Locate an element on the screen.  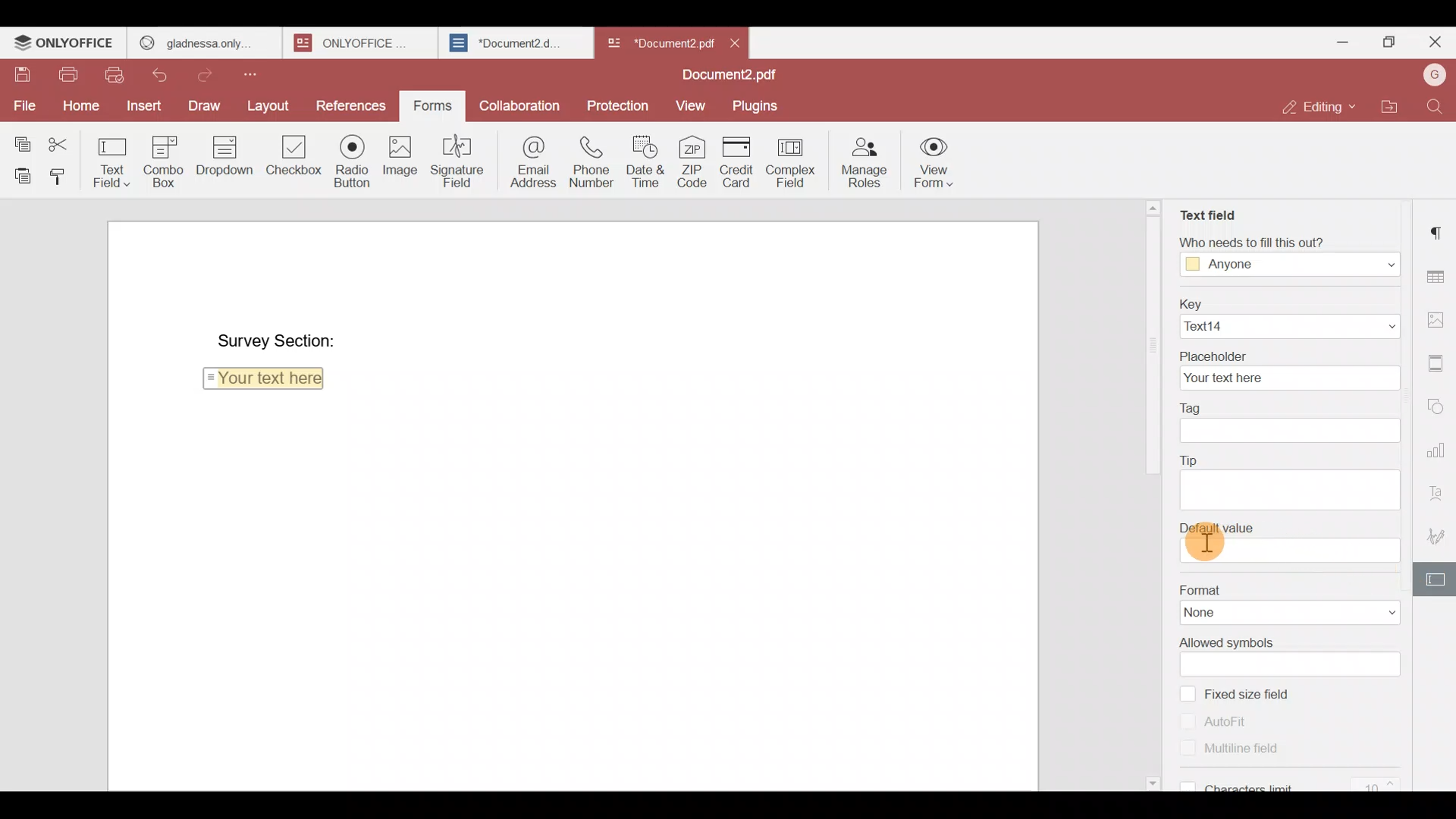
*Document2 pd is located at coordinates (657, 42).